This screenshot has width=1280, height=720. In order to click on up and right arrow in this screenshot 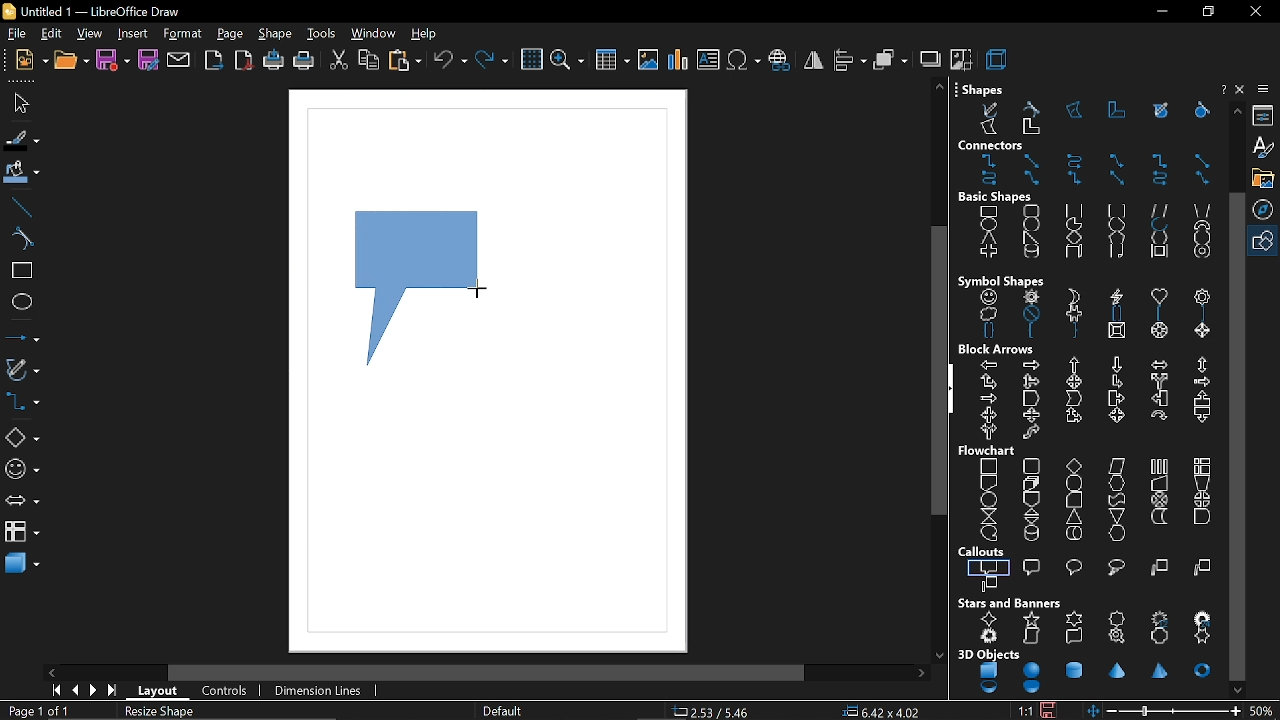, I will do `click(989, 381)`.